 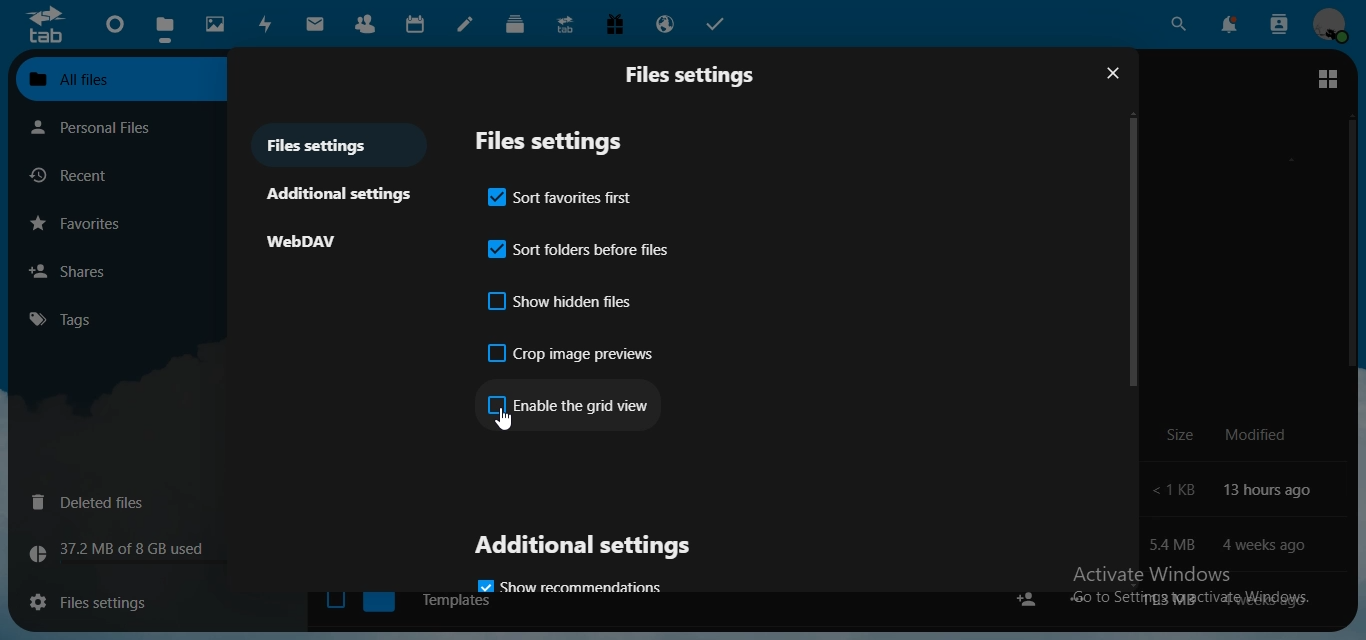 I want to click on additional settings , so click(x=583, y=549).